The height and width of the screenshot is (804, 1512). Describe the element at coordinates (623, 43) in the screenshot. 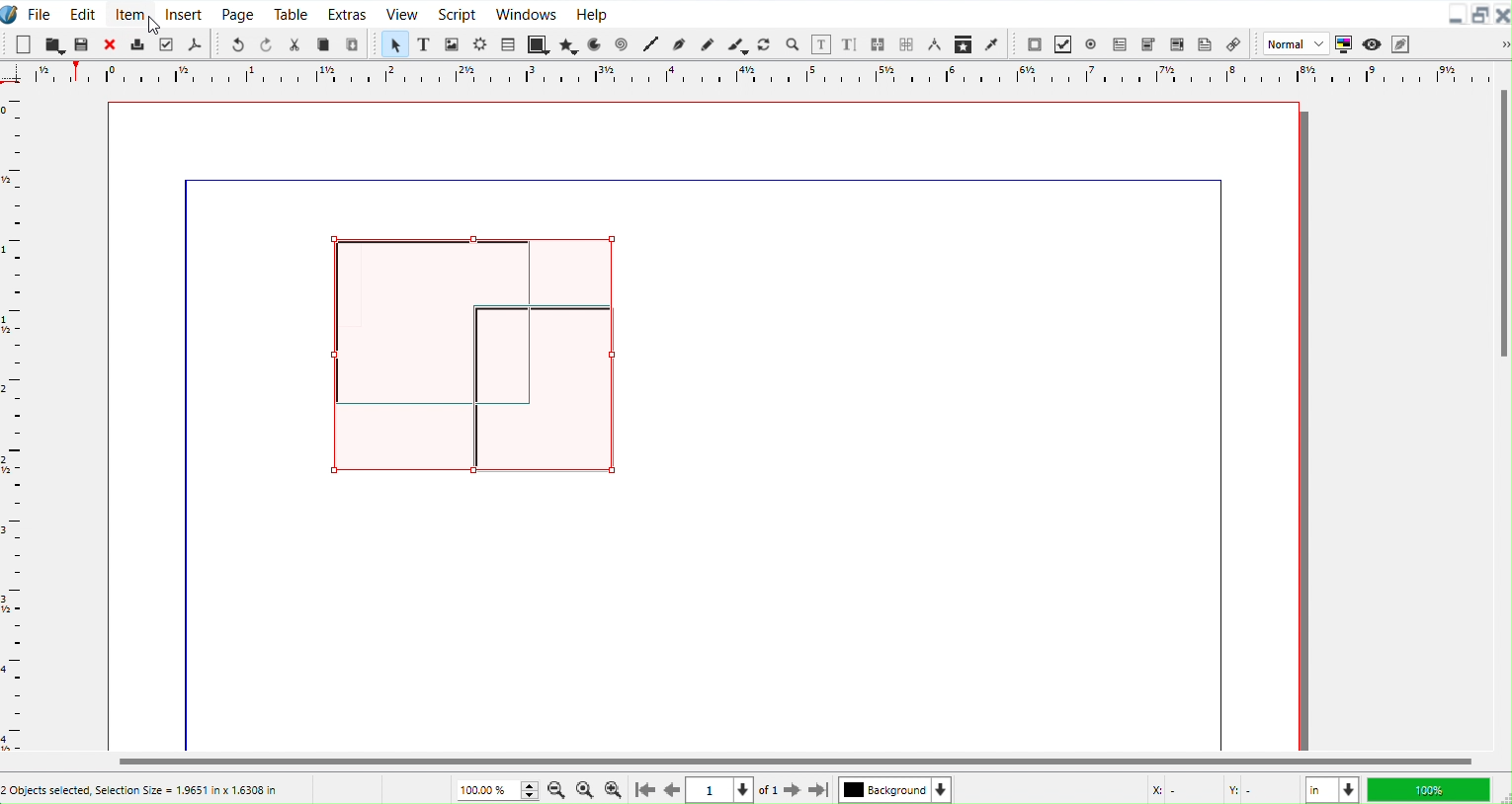

I see `Spiral` at that location.